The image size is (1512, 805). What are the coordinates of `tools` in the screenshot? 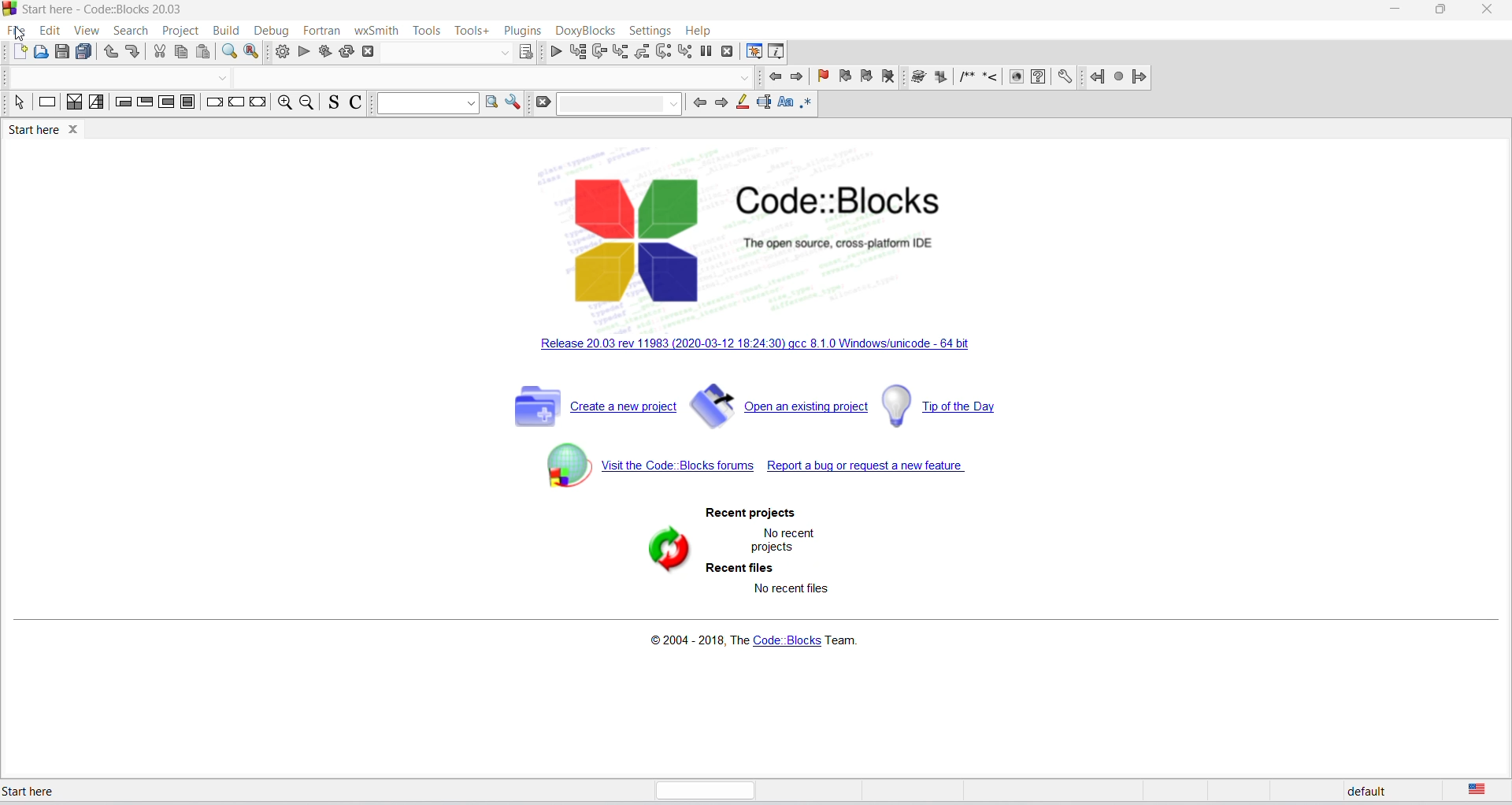 It's located at (427, 31).